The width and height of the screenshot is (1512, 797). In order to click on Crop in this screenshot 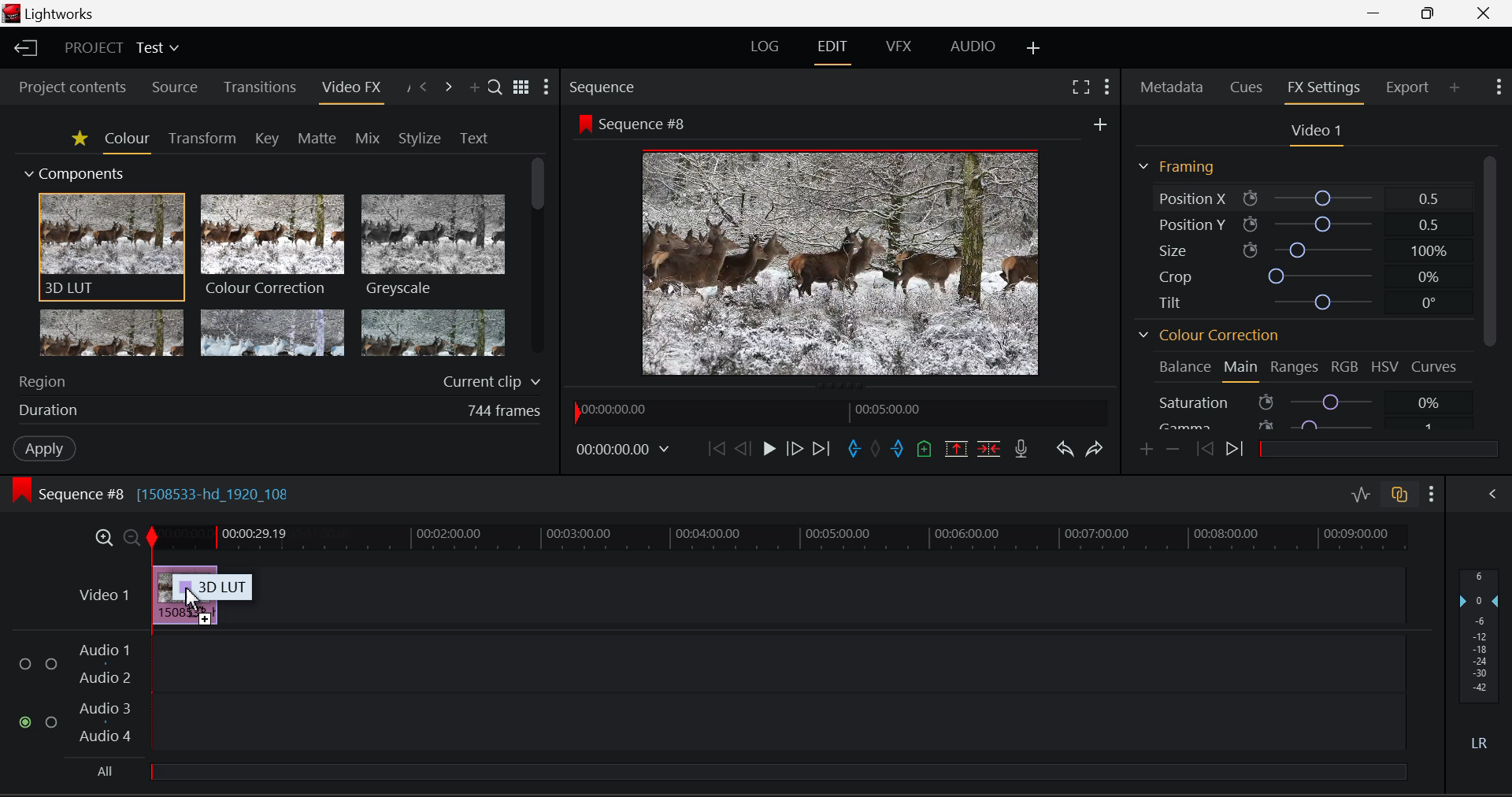, I will do `click(1313, 276)`.